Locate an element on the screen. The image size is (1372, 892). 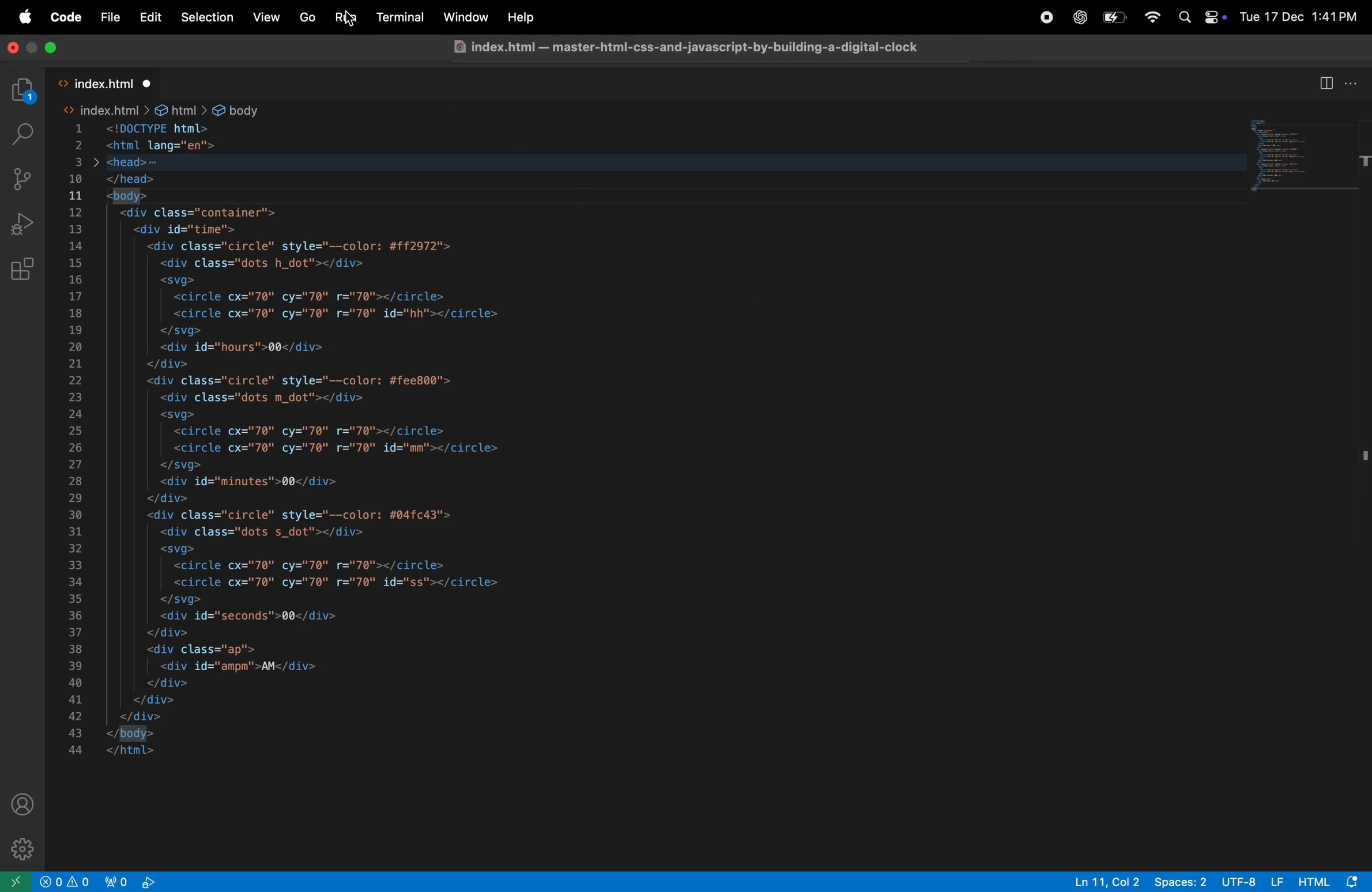
open remote is located at coordinates (16, 880).